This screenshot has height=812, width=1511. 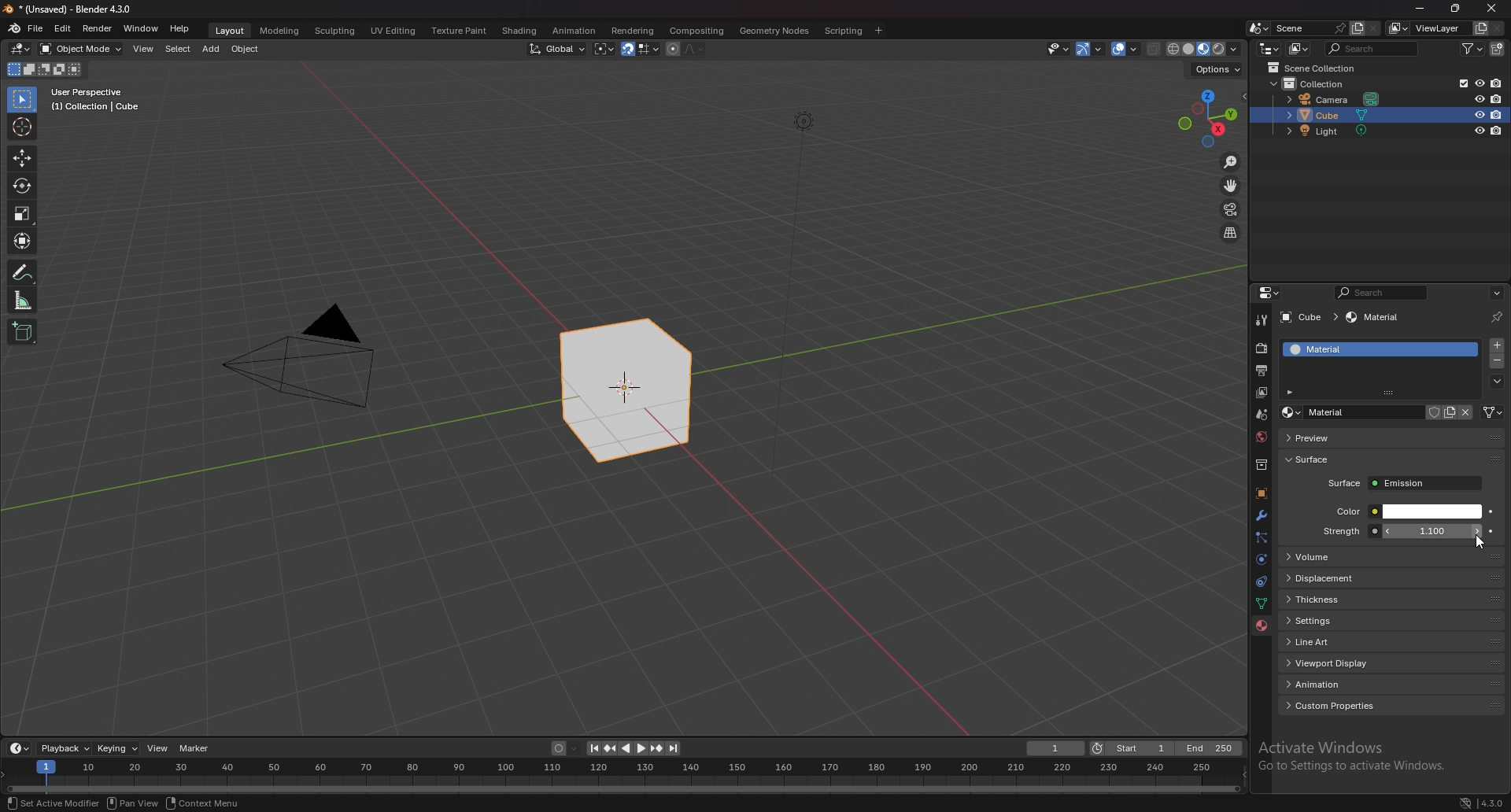 What do you see at coordinates (1481, 542) in the screenshot?
I see `cursor` at bounding box center [1481, 542].